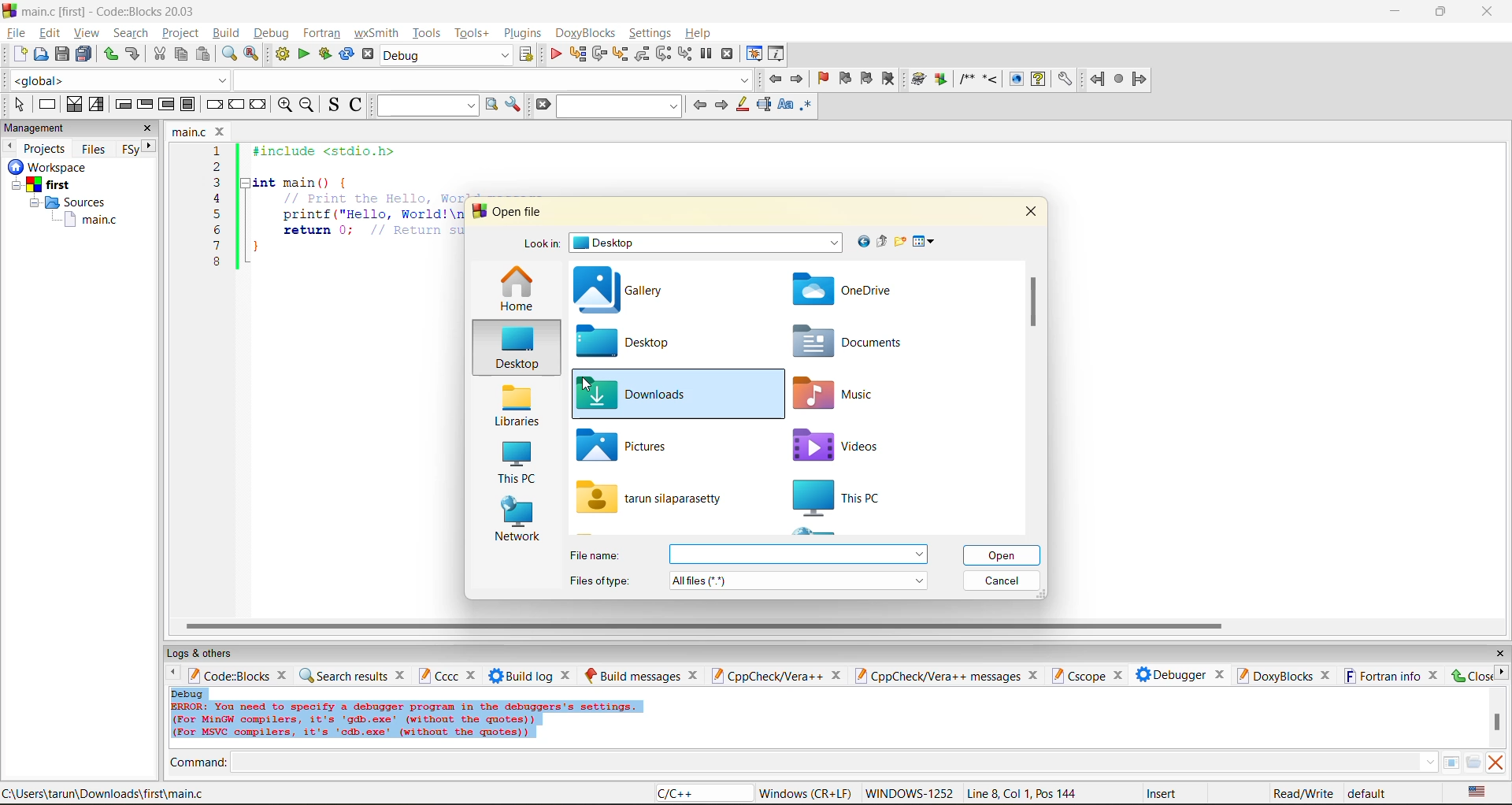 Image resolution: width=1512 pixels, height=805 pixels. What do you see at coordinates (1014, 79) in the screenshot?
I see `show` at bounding box center [1014, 79].